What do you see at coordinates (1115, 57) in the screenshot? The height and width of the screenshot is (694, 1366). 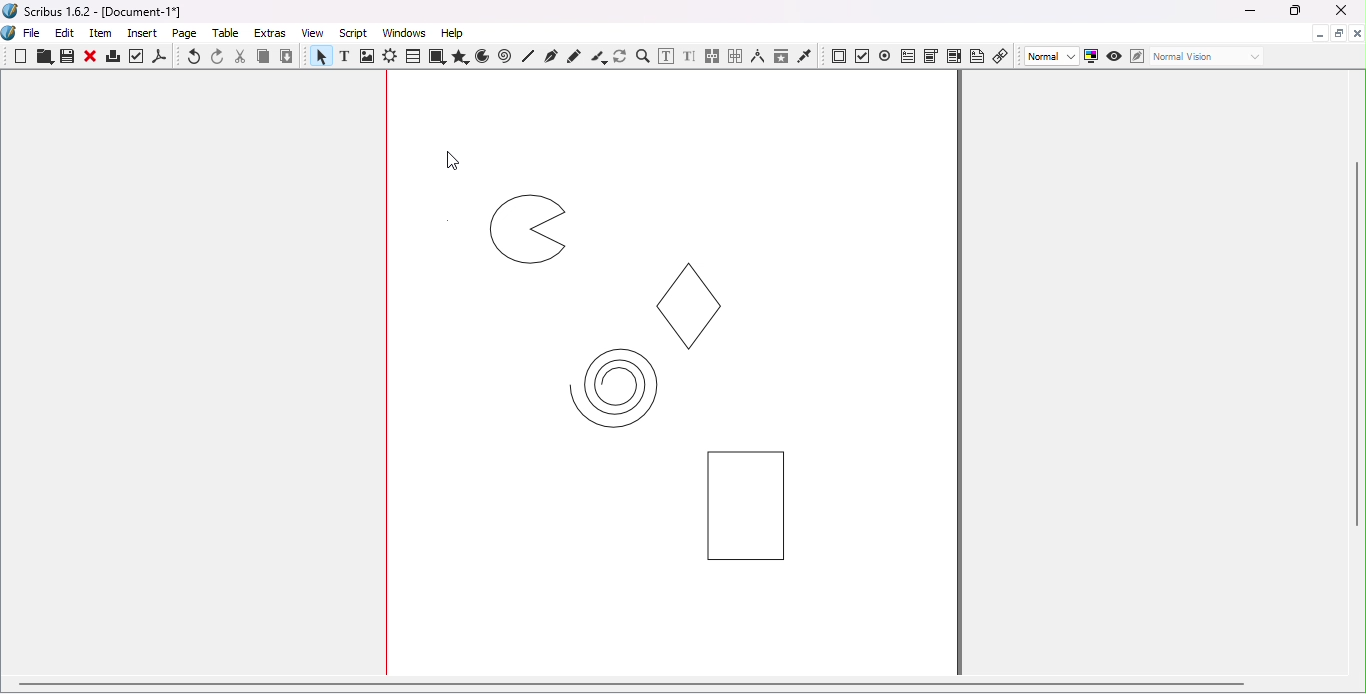 I see `Preview mode` at bounding box center [1115, 57].